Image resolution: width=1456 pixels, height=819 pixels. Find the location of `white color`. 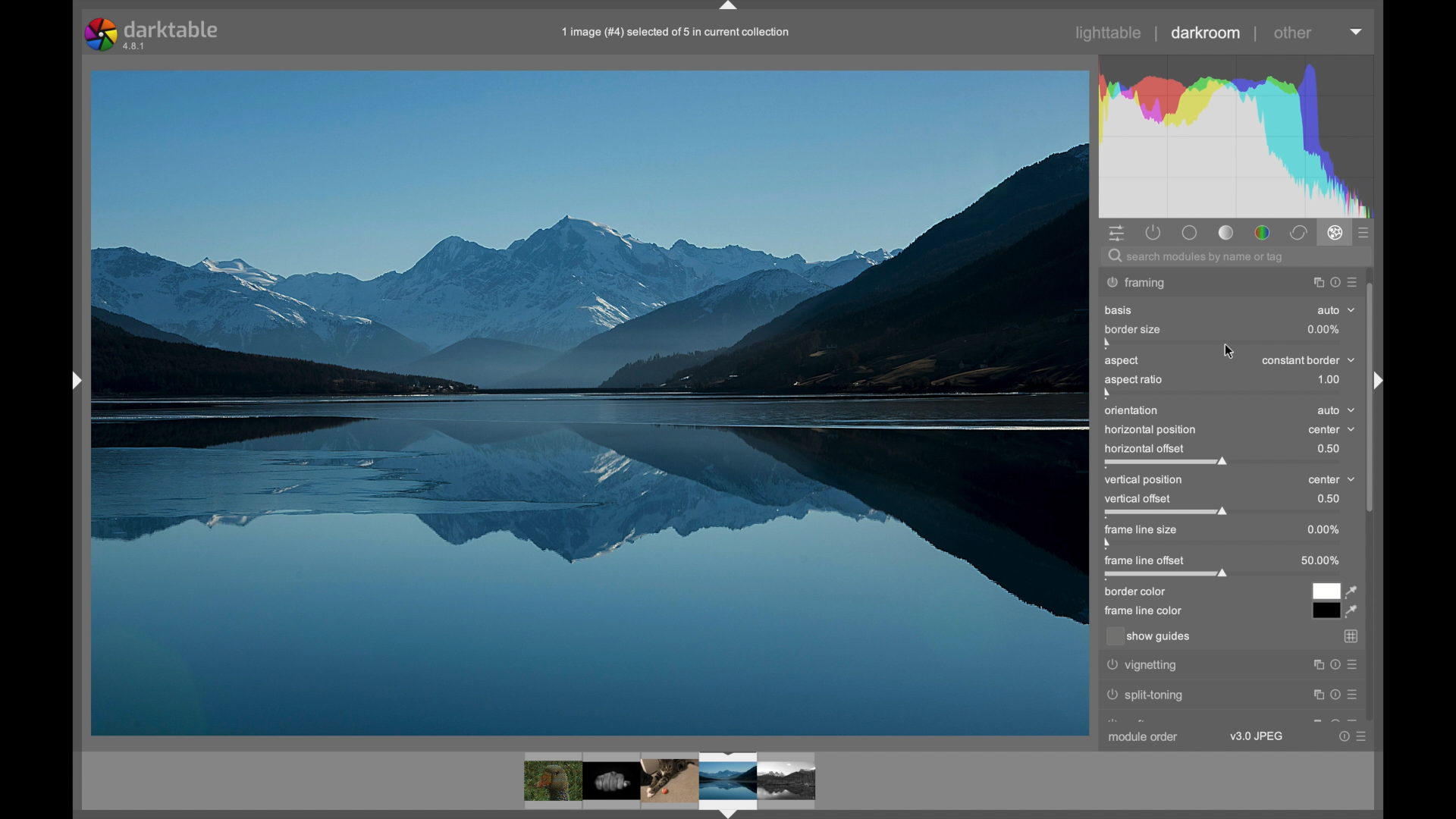

white color is located at coordinates (1326, 590).